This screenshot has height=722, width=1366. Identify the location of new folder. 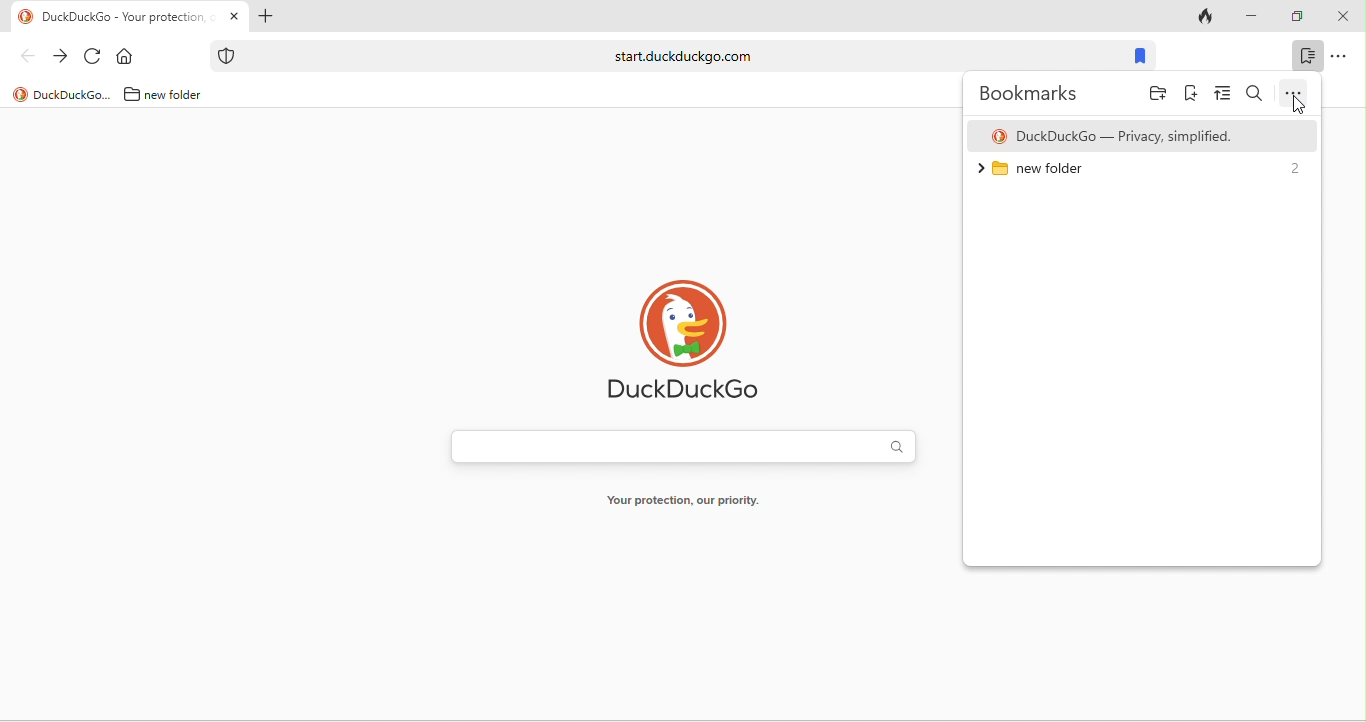
(1041, 174).